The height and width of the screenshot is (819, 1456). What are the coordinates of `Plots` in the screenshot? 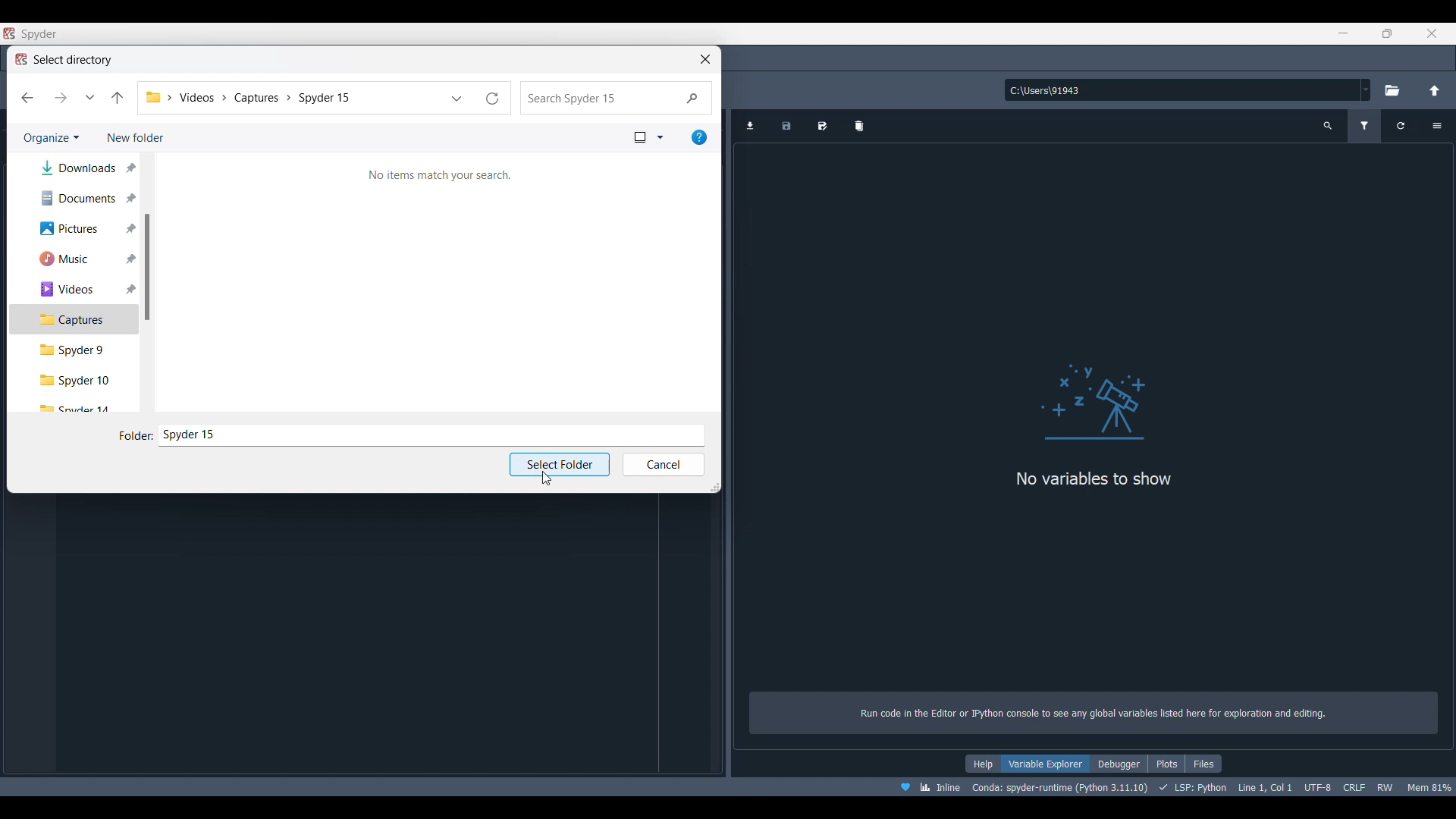 It's located at (1166, 764).